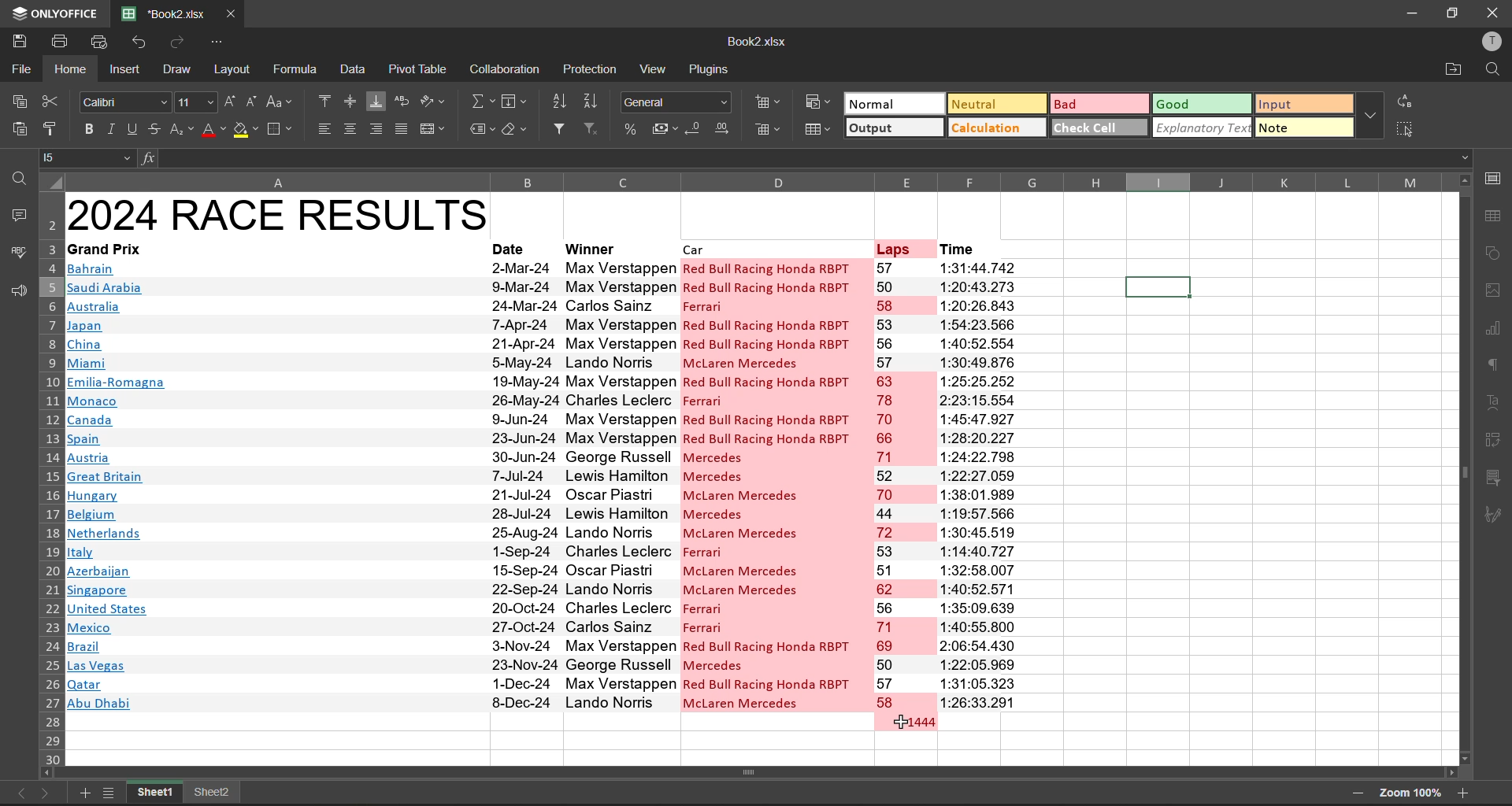 This screenshot has width=1512, height=806. What do you see at coordinates (148, 157) in the screenshot?
I see `fx` at bounding box center [148, 157].